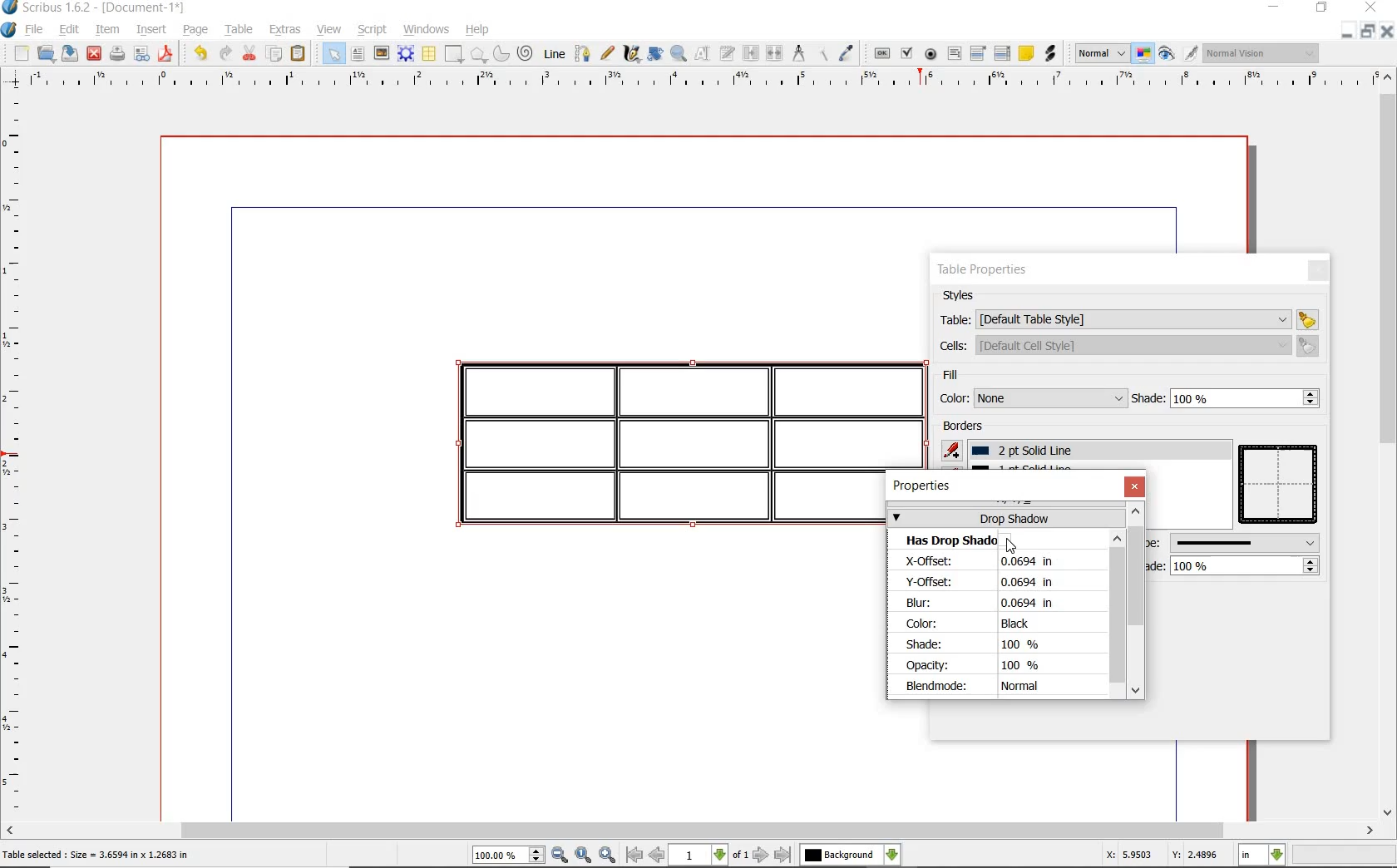  Describe the element at coordinates (1011, 546) in the screenshot. I see `Cursor` at that location.